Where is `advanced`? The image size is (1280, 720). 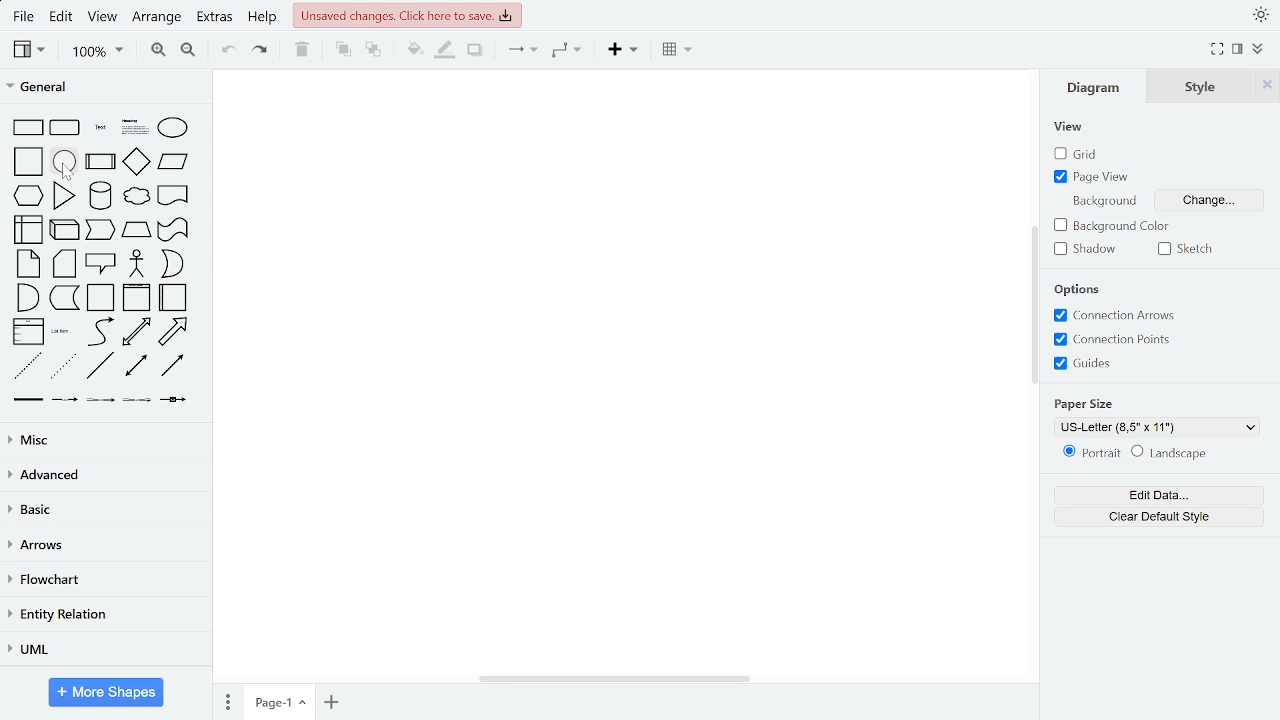
advanced is located at coordinates (104, 475).